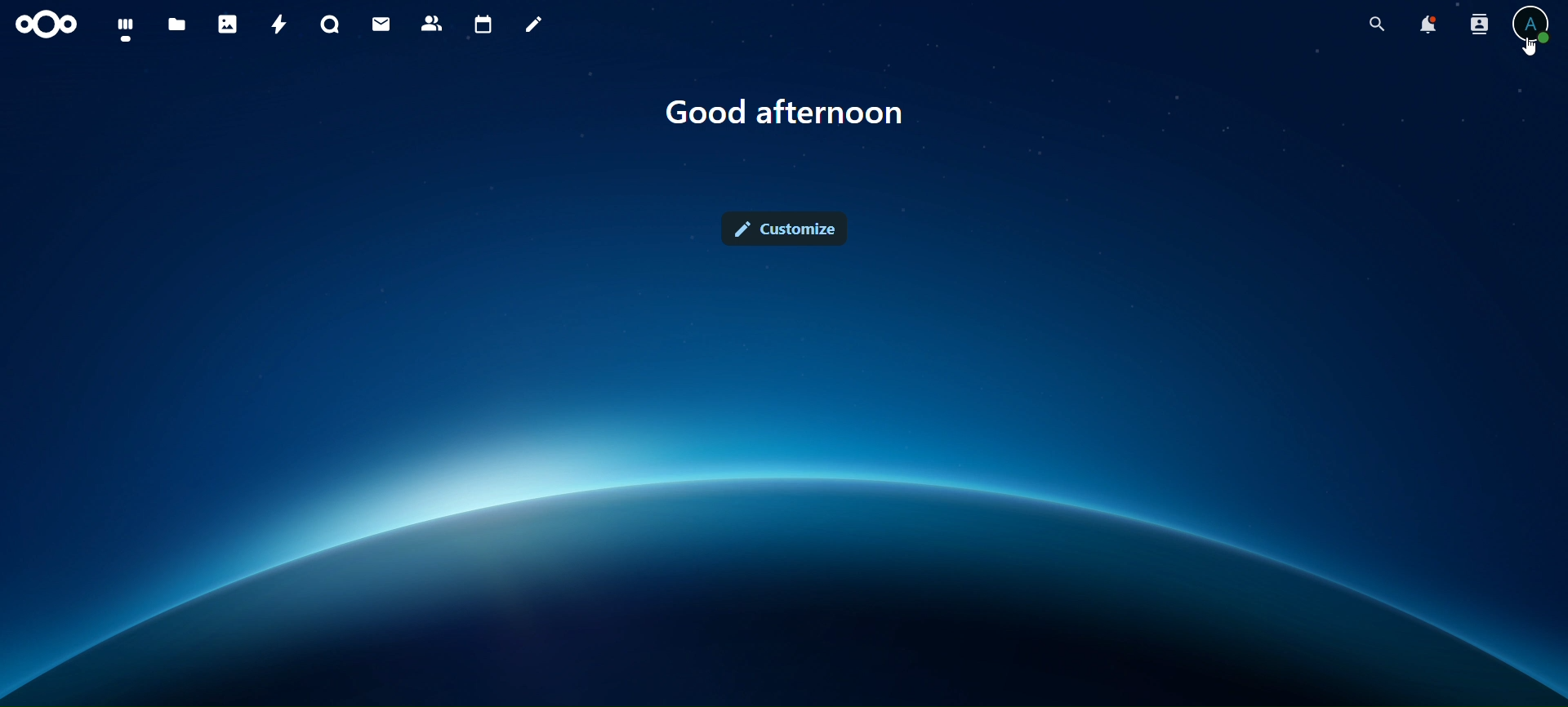  What do you see at coordinates (785, 227) in the screenshot?
I see `customize` at bounding box center [785, 227].